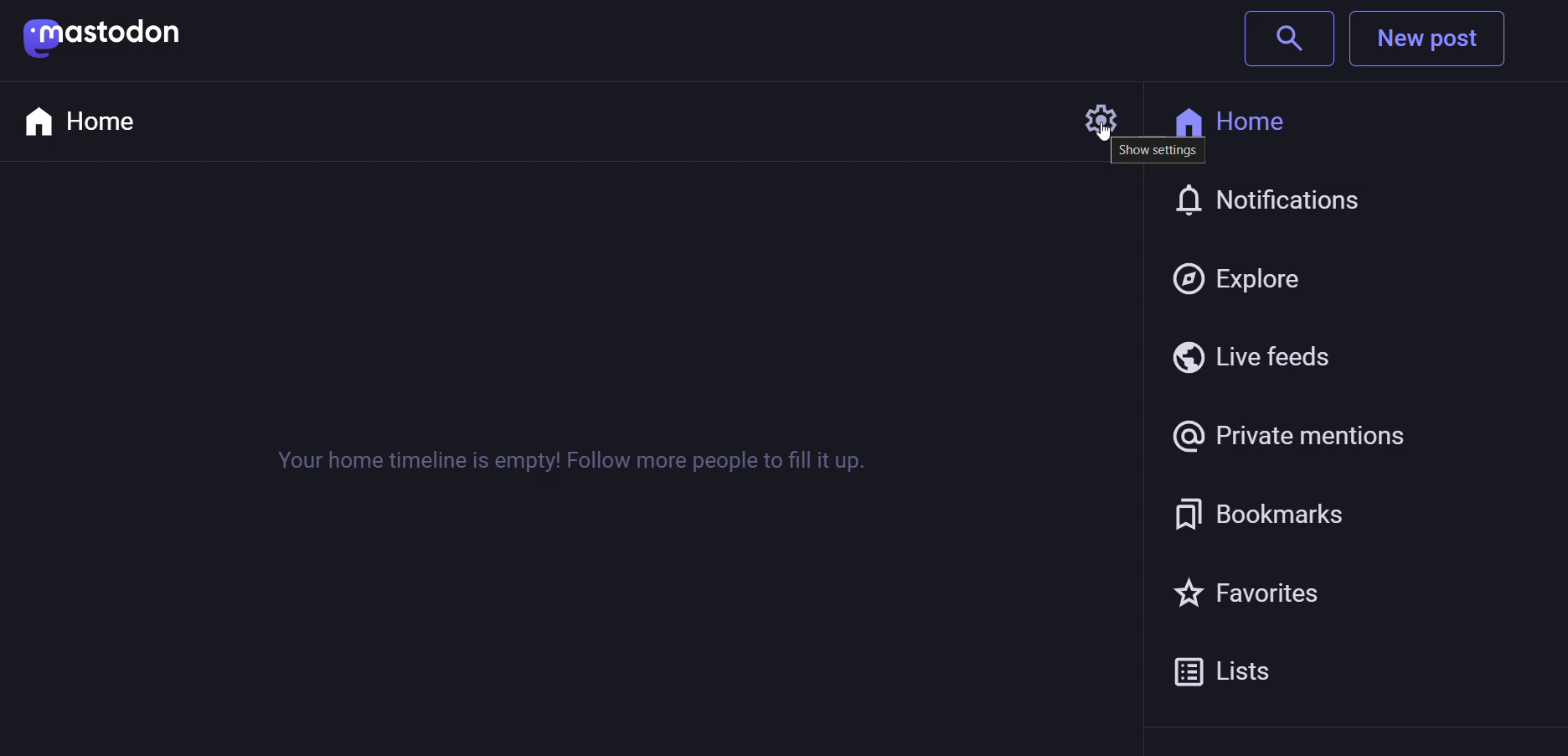 This screenshot has height=756, width=1568. I want to click on Live feedS, so click(1251, 355).